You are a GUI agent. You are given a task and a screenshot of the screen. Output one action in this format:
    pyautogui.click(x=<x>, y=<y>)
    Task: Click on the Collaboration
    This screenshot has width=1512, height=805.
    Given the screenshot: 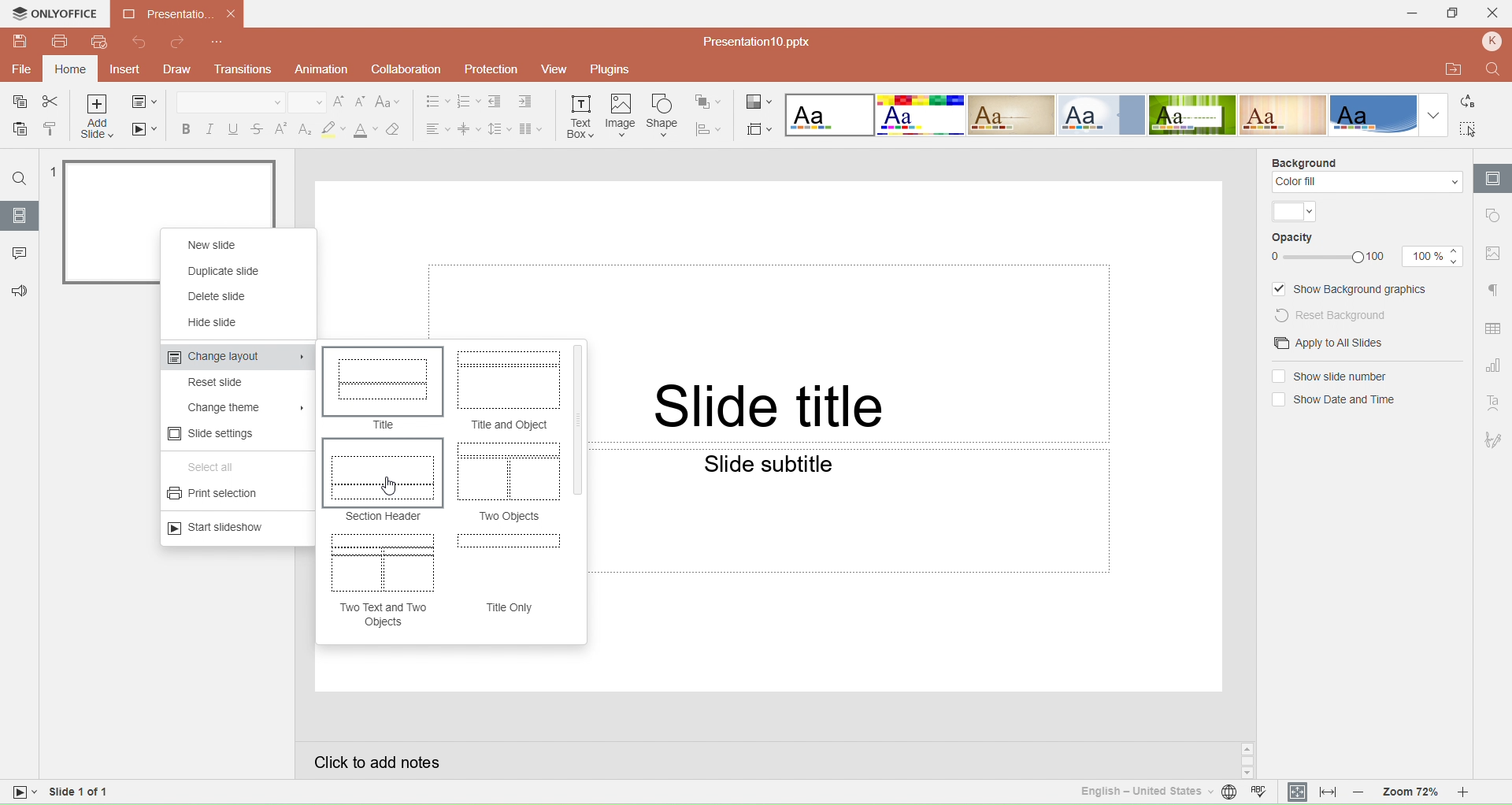 What is the action you would take?
    pyautogui.click(x=403, y=69)
    